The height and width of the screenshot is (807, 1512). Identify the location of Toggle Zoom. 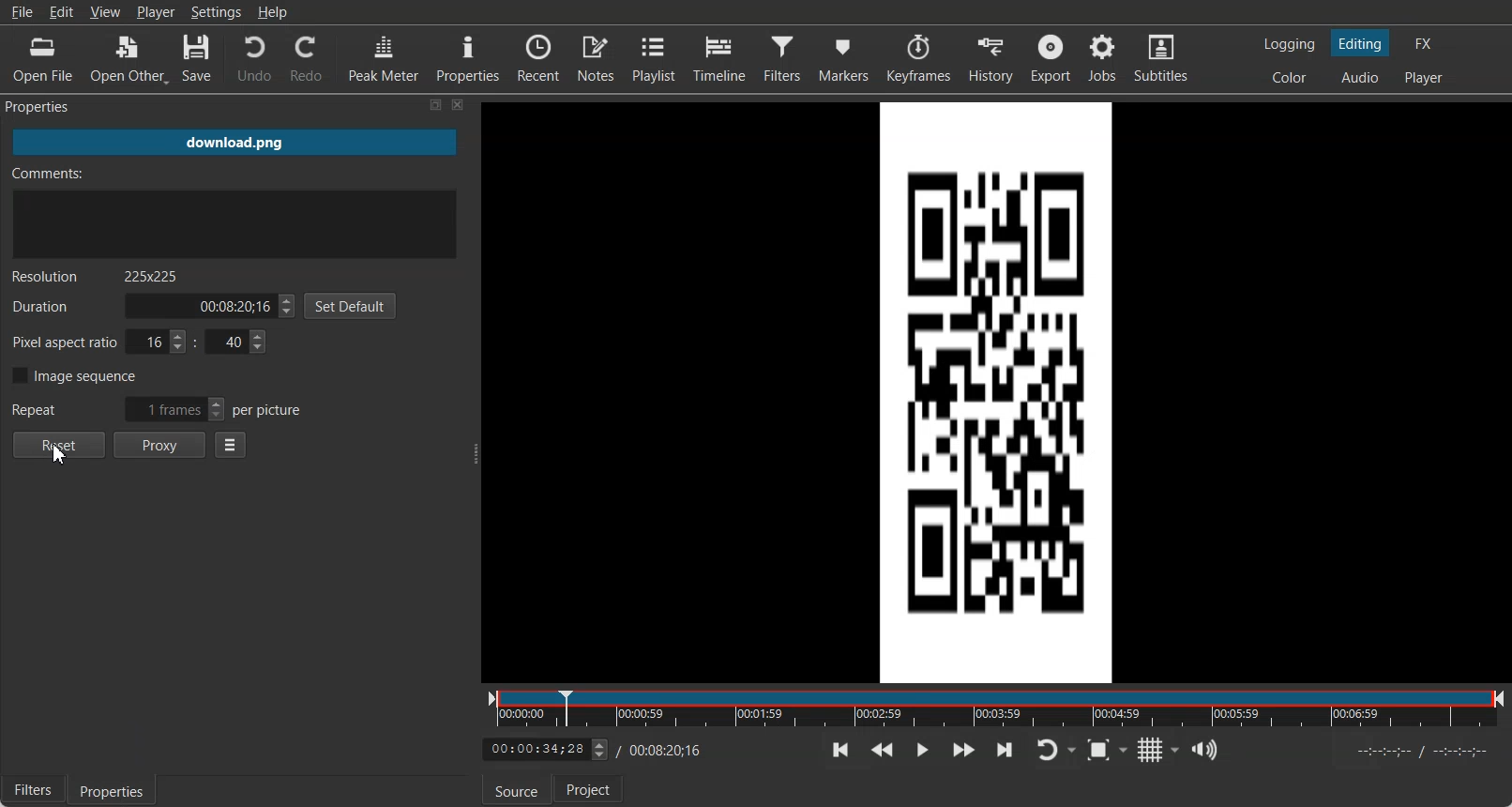
(1108, 750).